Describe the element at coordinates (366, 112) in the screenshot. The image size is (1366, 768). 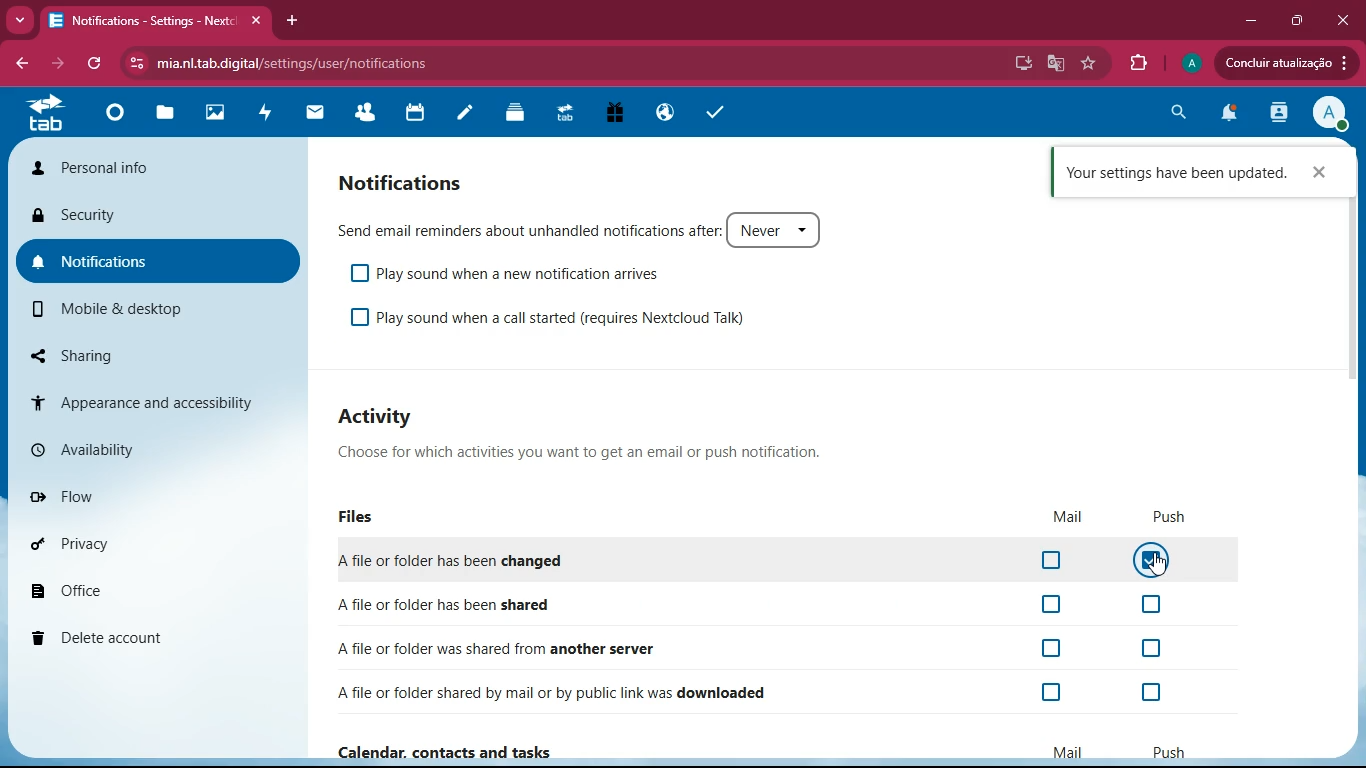
I see `friends` at that location.